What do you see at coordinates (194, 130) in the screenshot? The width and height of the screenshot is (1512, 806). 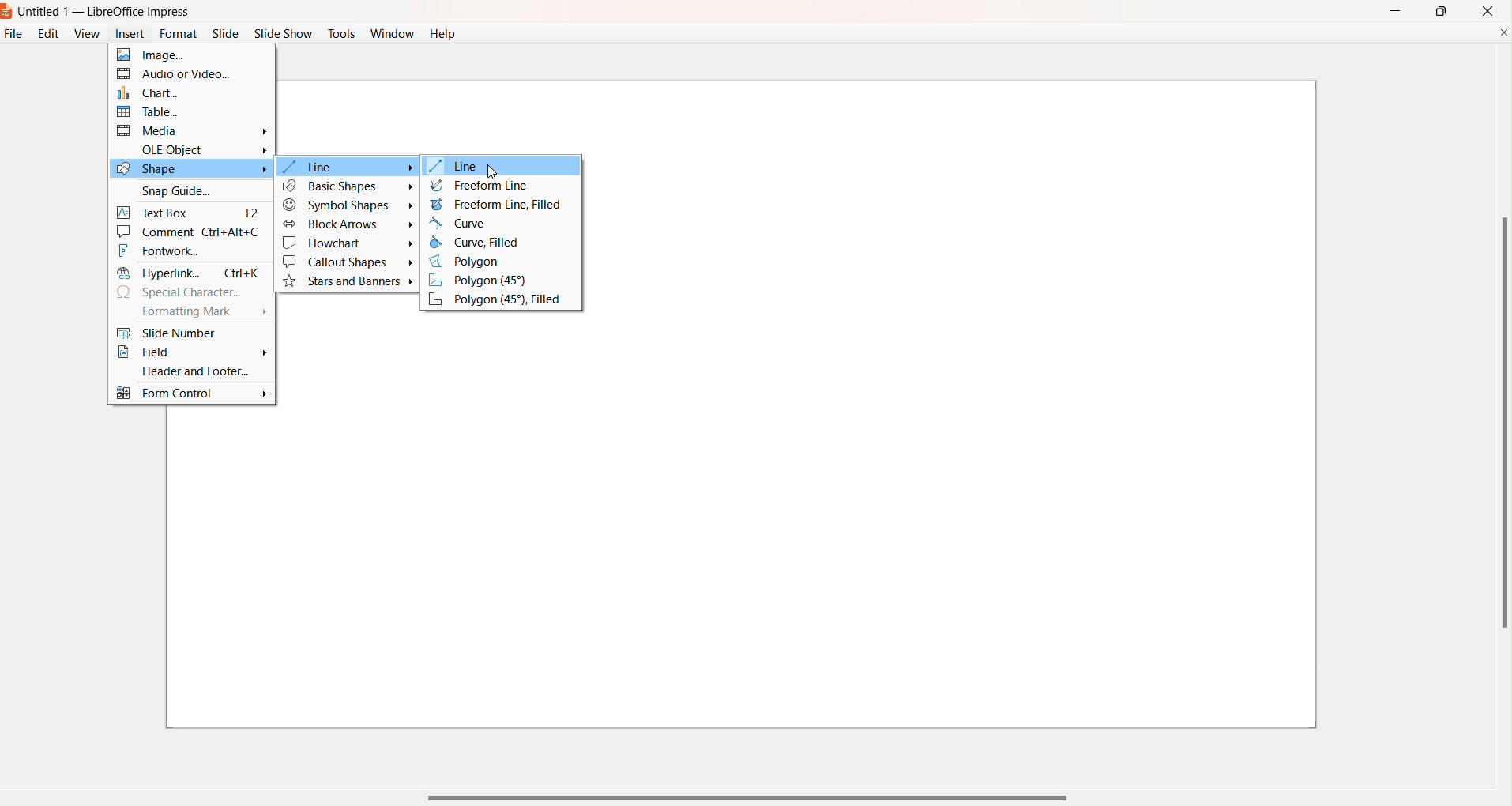 I see `media` at bounding box center [194, 130].